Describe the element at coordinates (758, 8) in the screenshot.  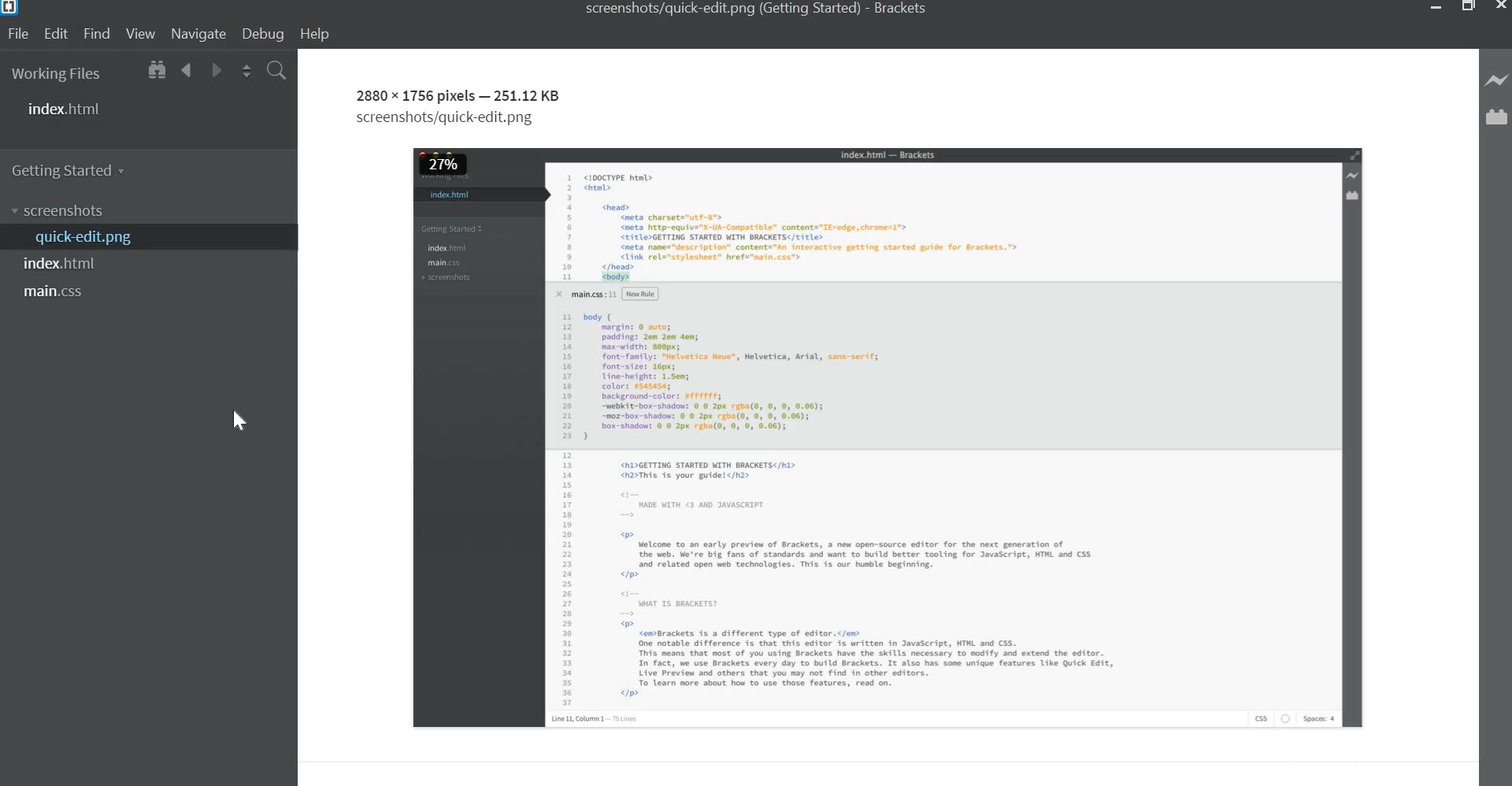
I see `screenshots/quick-edit.png (Getting Started) - Brackets` at that location.